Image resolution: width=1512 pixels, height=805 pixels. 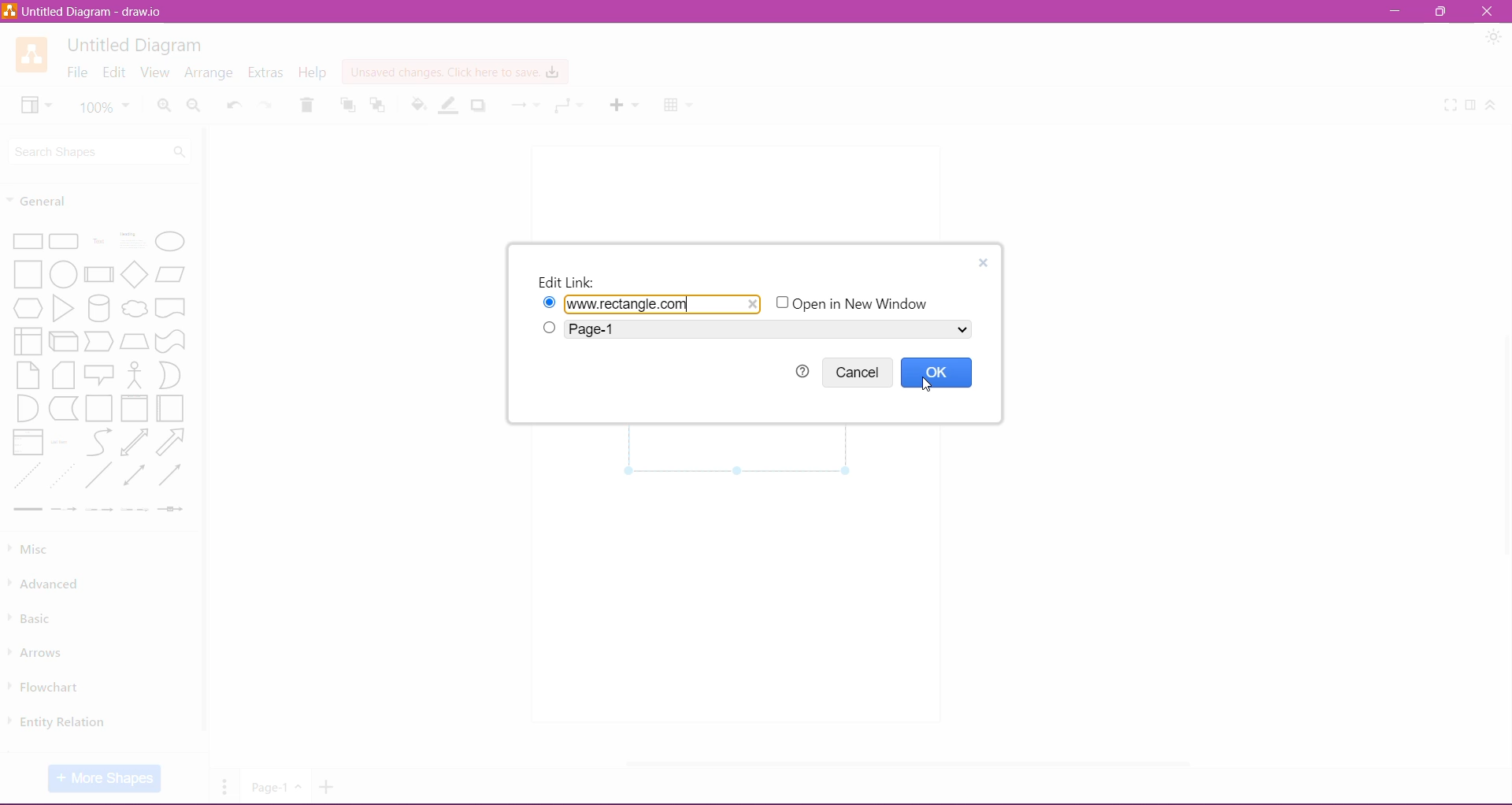 What do you see at coordinates (268, 103) in the screenshot?
I see `Redo` at bounding box center [268, 103].